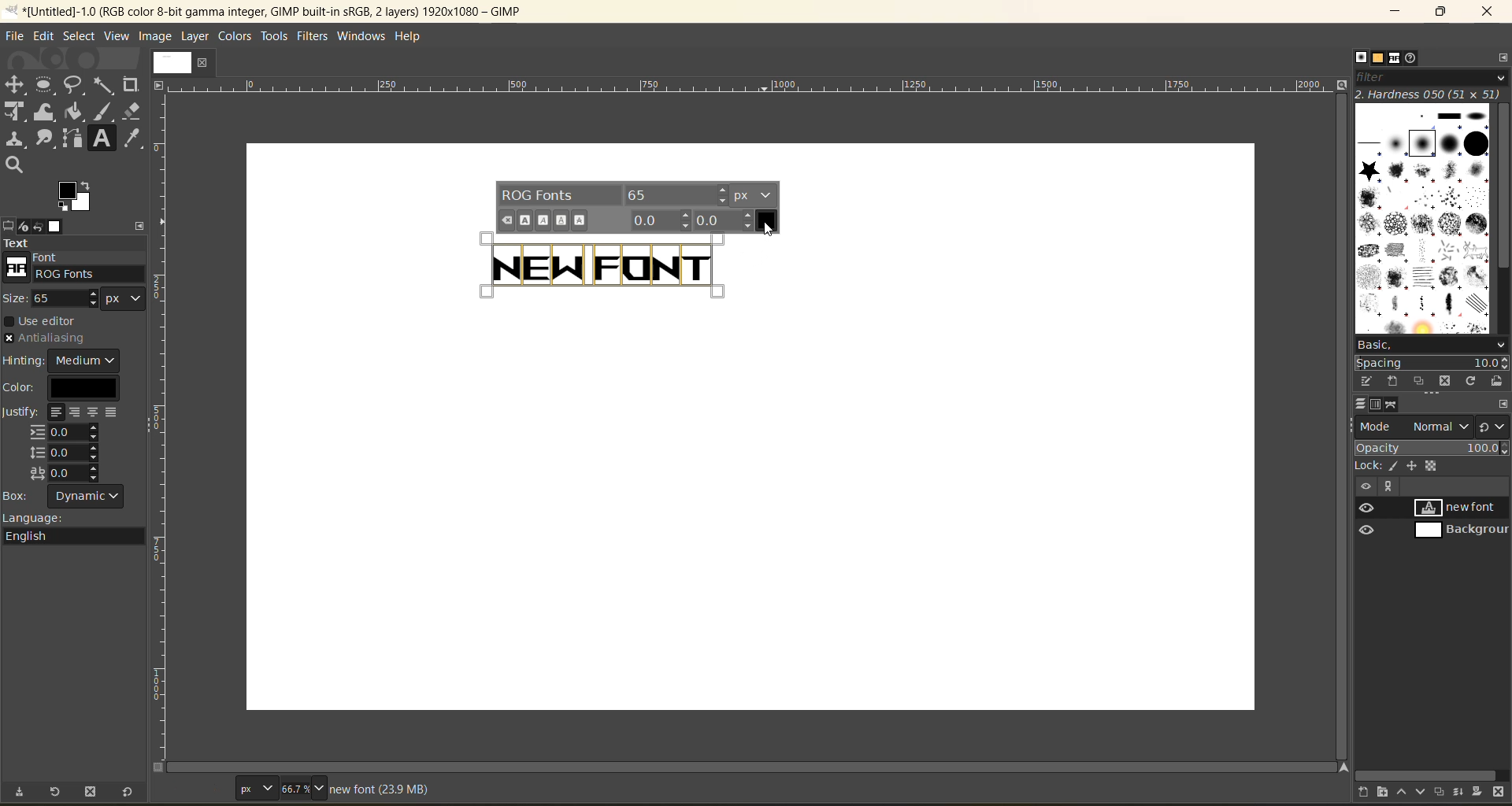 This screenshot has height=806, width=1512. Describe the element at coordinates (1464, 793) in the screenshot. I see `merge this layer` at that location.